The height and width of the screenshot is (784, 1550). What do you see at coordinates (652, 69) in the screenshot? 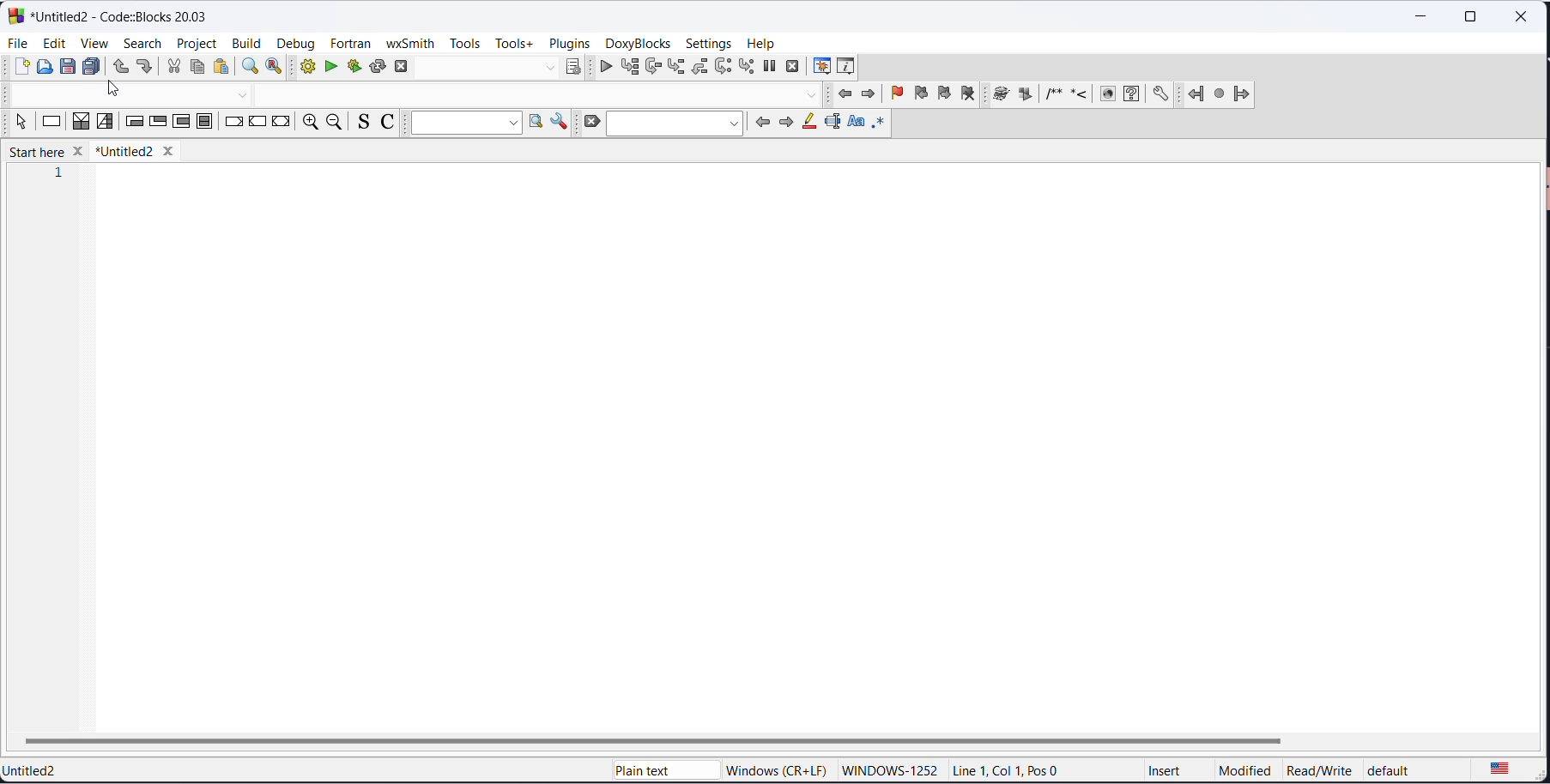
I see `next line` at bounding box center [652, 69].